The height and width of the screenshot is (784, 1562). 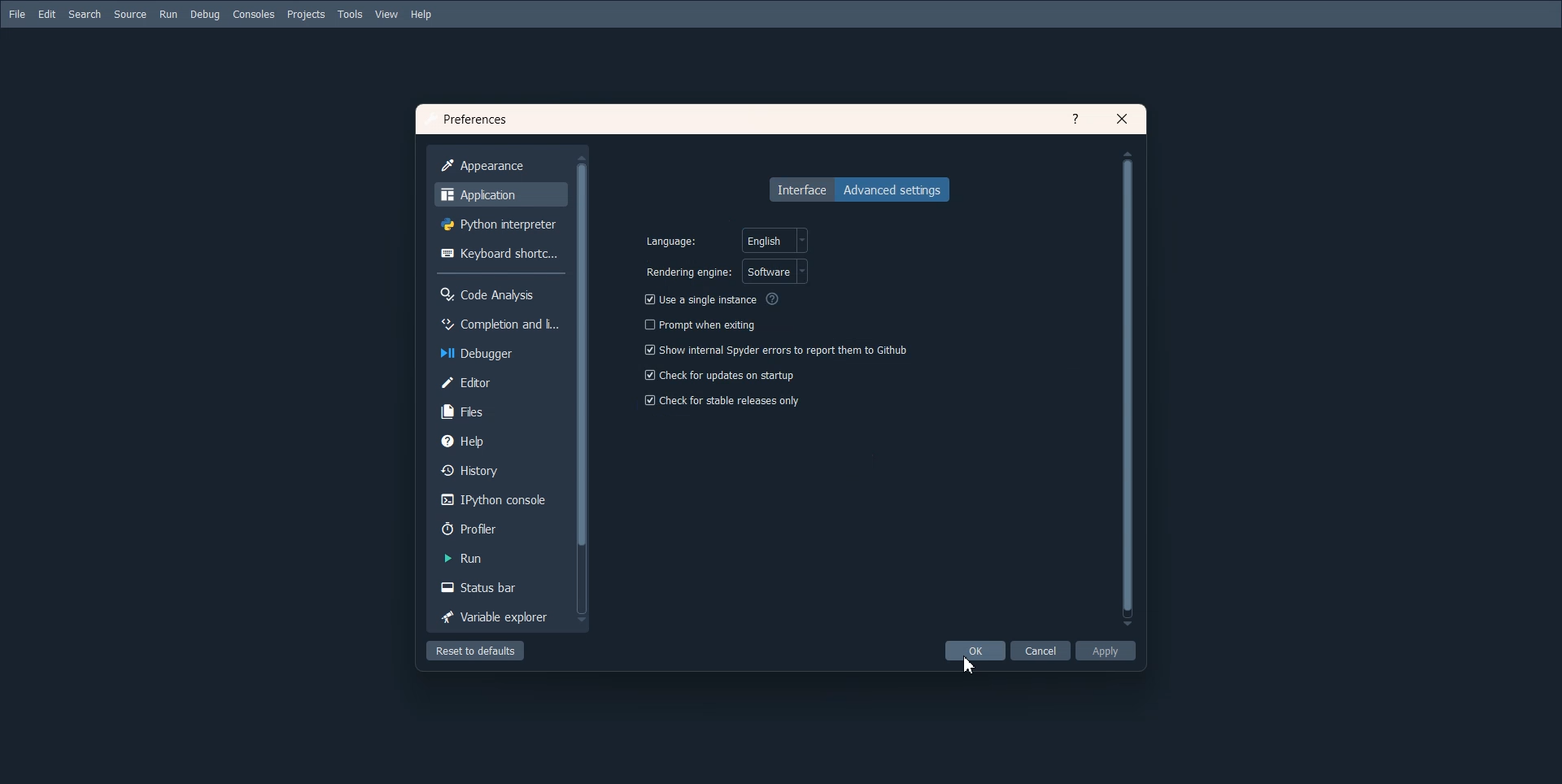 I want to click on IPython console, so click(x=497, y=500).